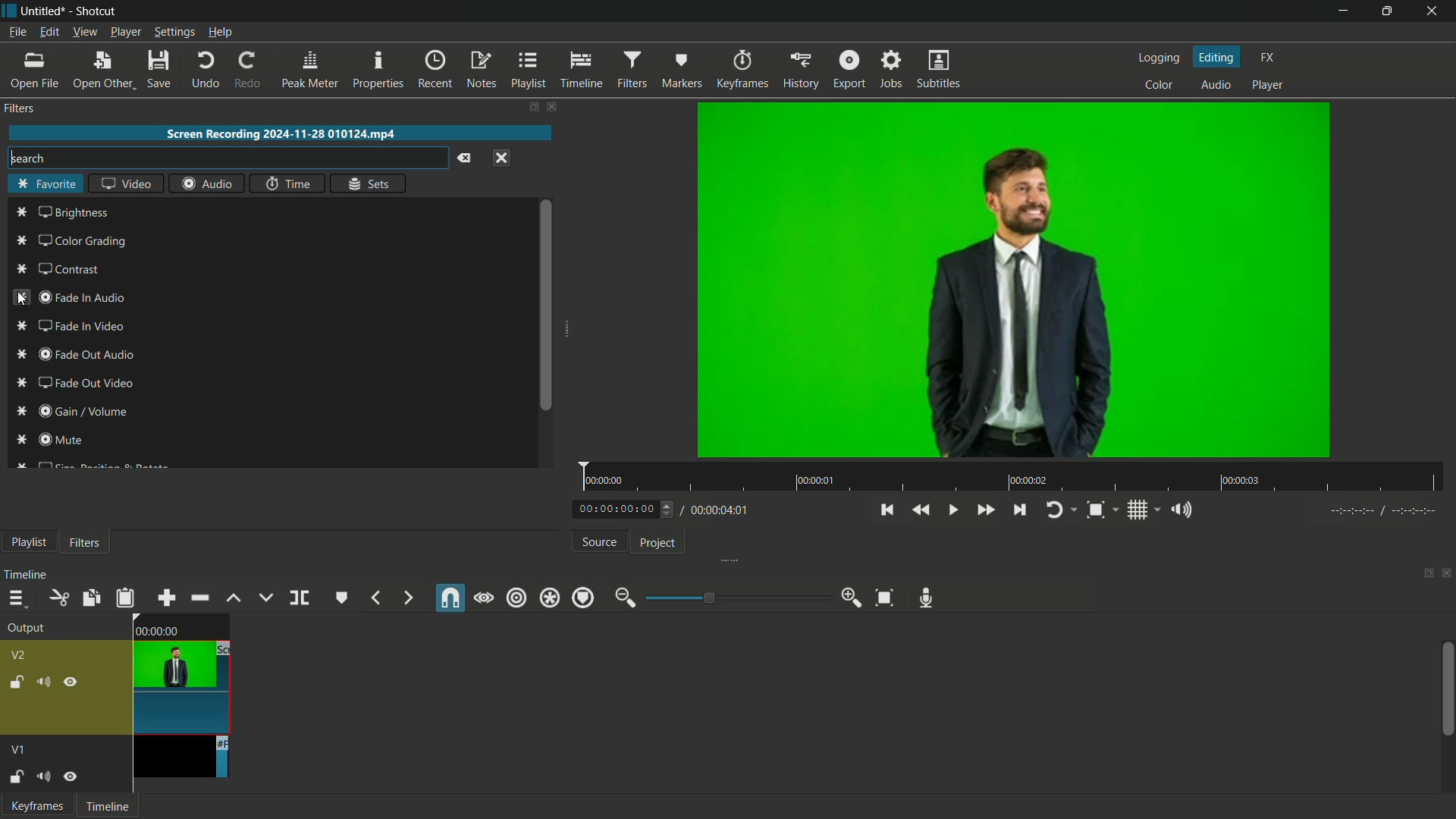  Describe the element at coordinates (670, 510) in the screenshot. I see `Up/Down` at that location.